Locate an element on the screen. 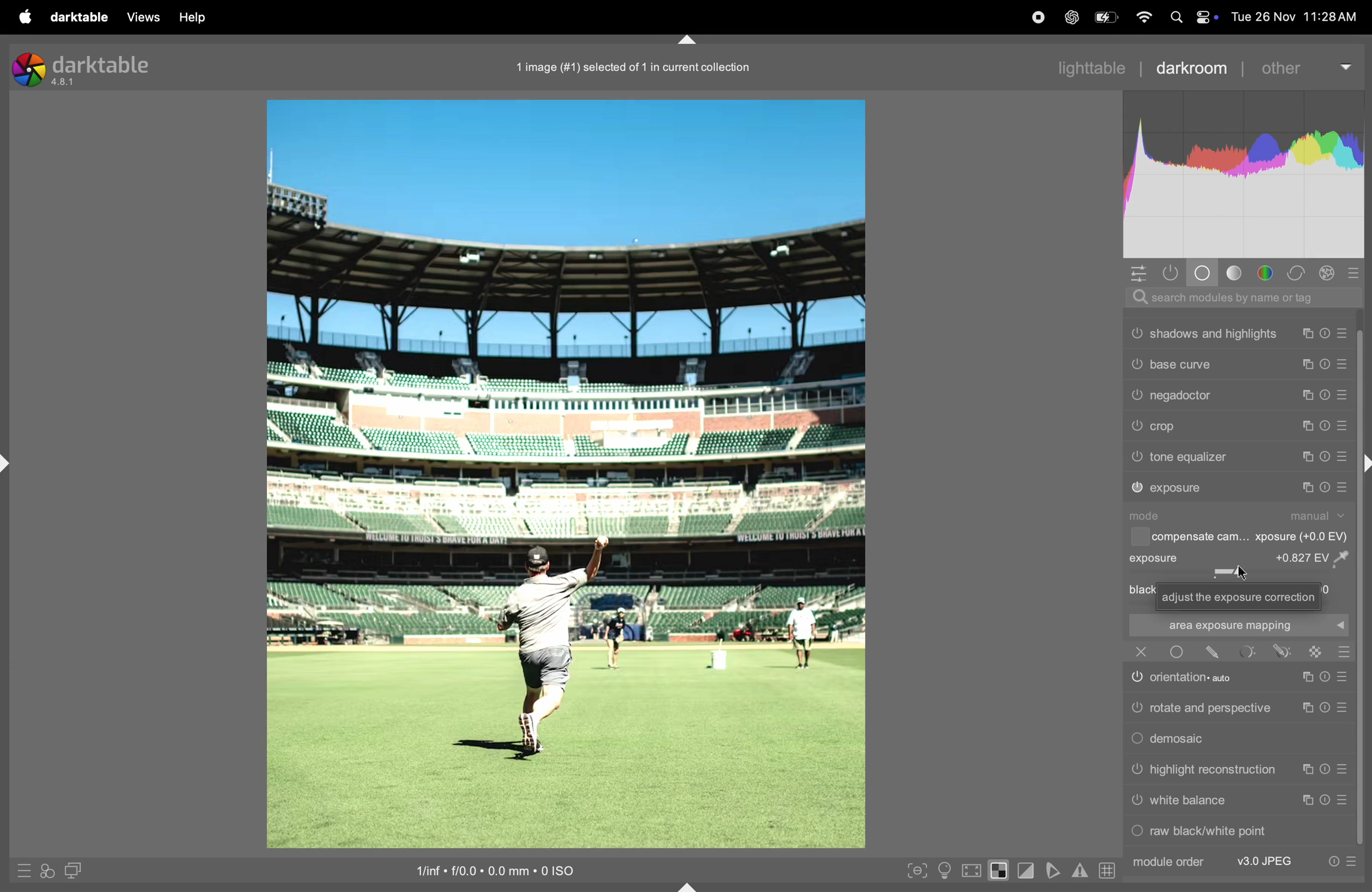  record is located at coordinates (1037, 17).